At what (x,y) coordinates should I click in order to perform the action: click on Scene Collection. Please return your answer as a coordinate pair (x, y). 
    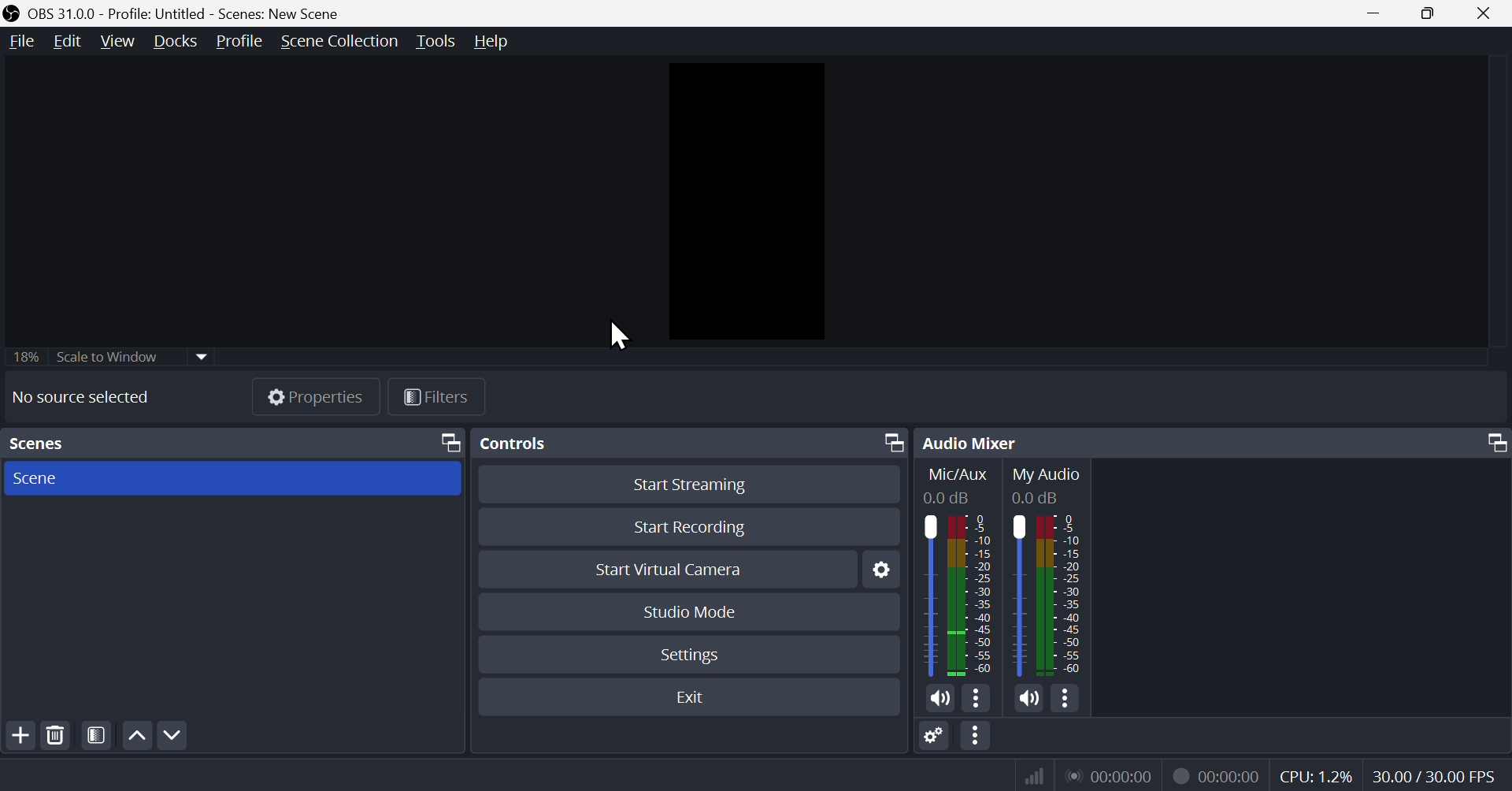
    Looking at the image, I should click on (336, 43).